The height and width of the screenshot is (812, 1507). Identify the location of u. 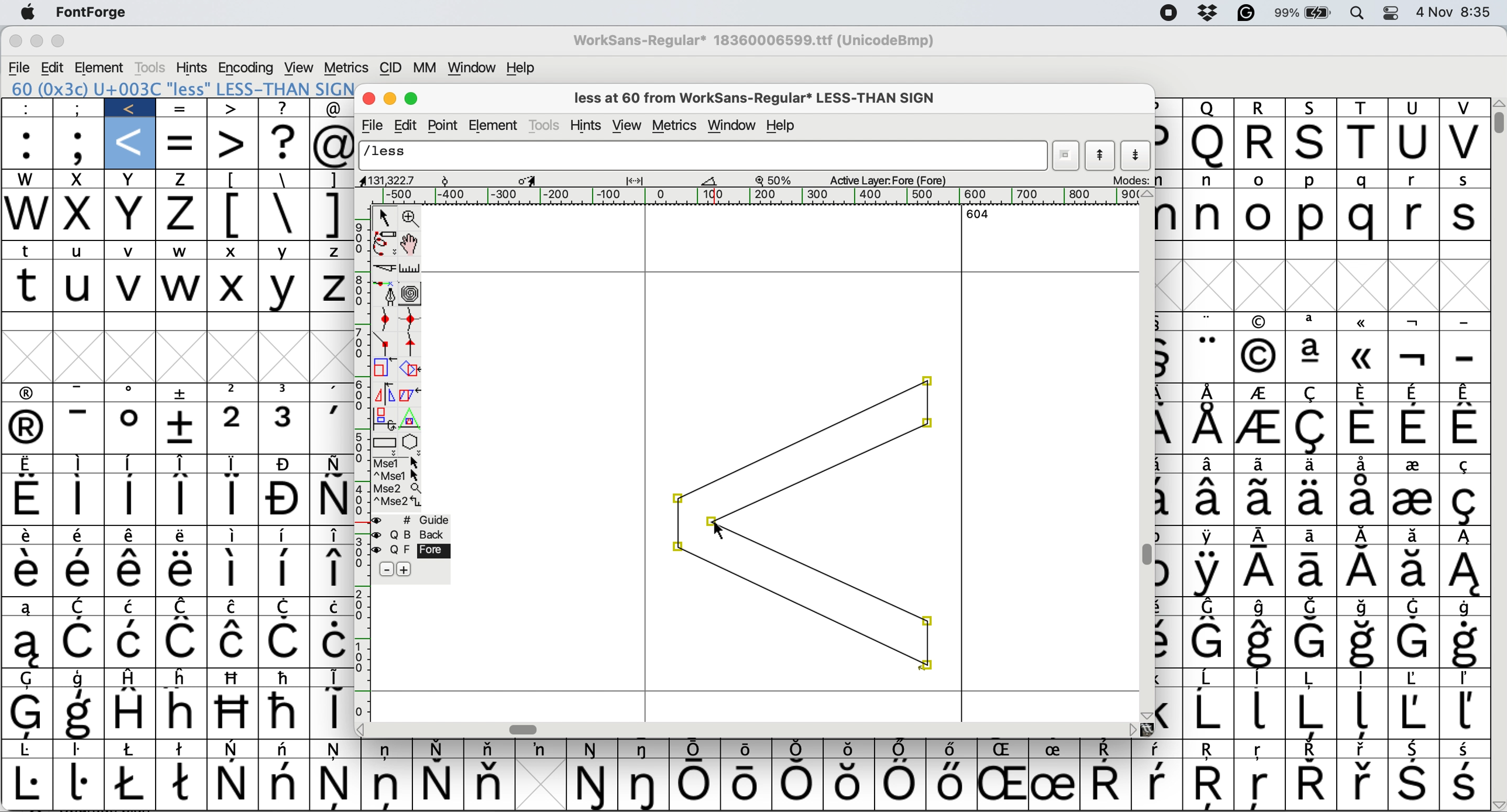
(1413, 142).